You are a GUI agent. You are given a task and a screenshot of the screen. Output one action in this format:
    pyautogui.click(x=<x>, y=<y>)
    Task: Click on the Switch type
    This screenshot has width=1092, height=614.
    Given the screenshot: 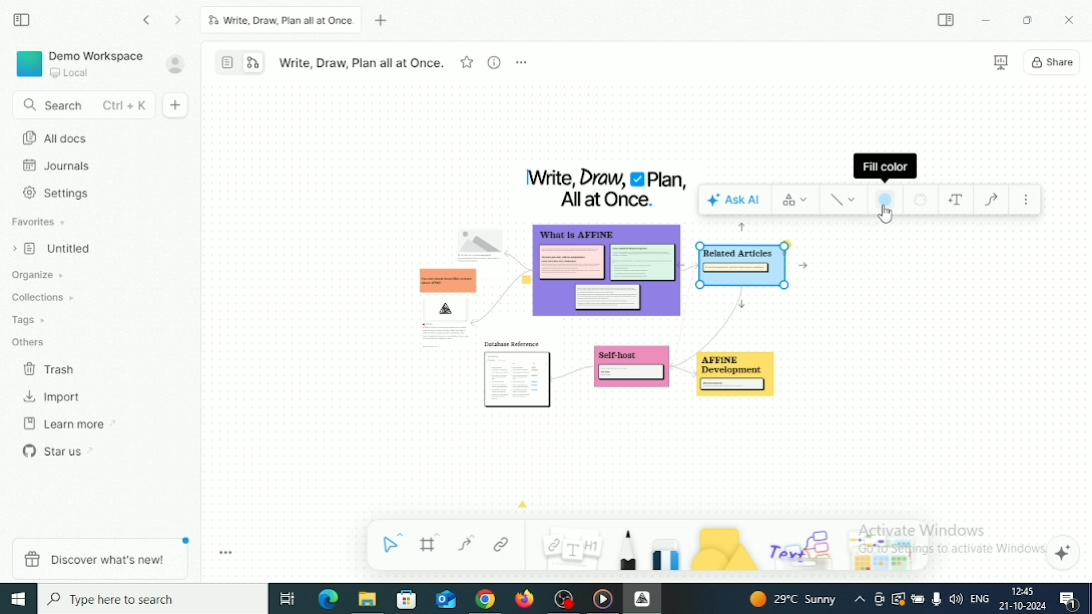 What is the action you would take?
    pyautogui.click(x=796, y=198)
    